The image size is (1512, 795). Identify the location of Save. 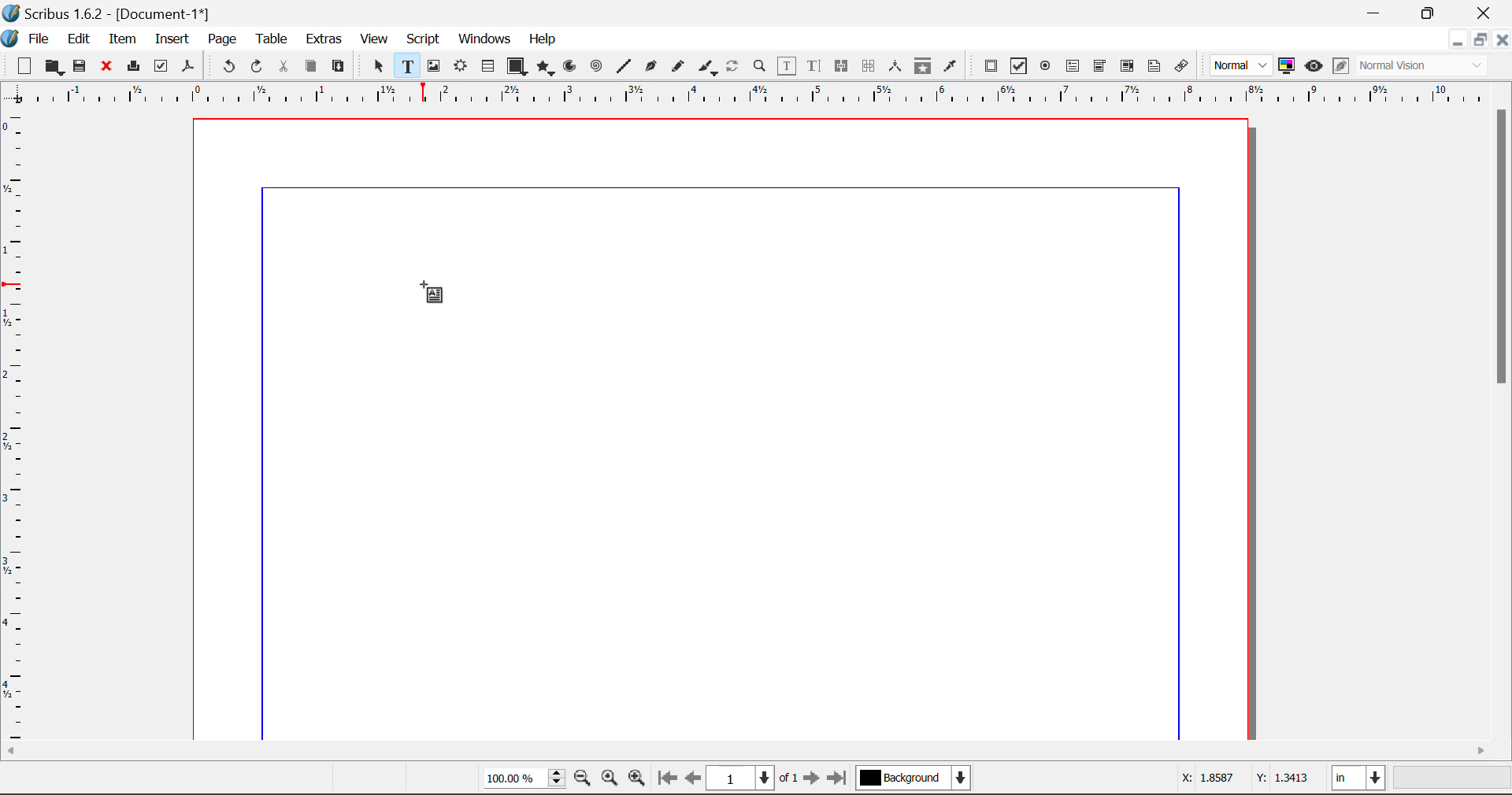
(81, 66).